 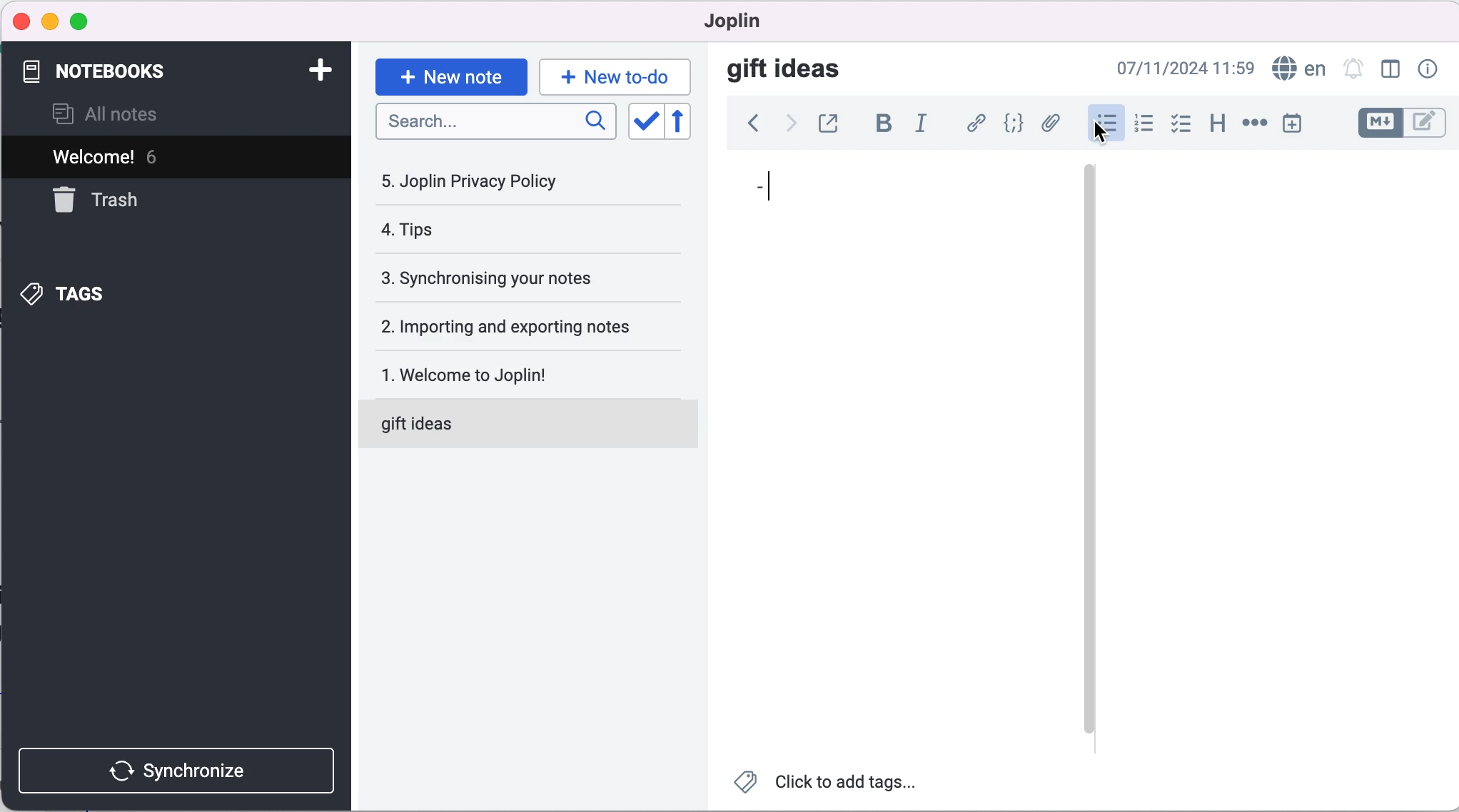 I want to click on joplin privacy policy, so click(x=480, y=181).